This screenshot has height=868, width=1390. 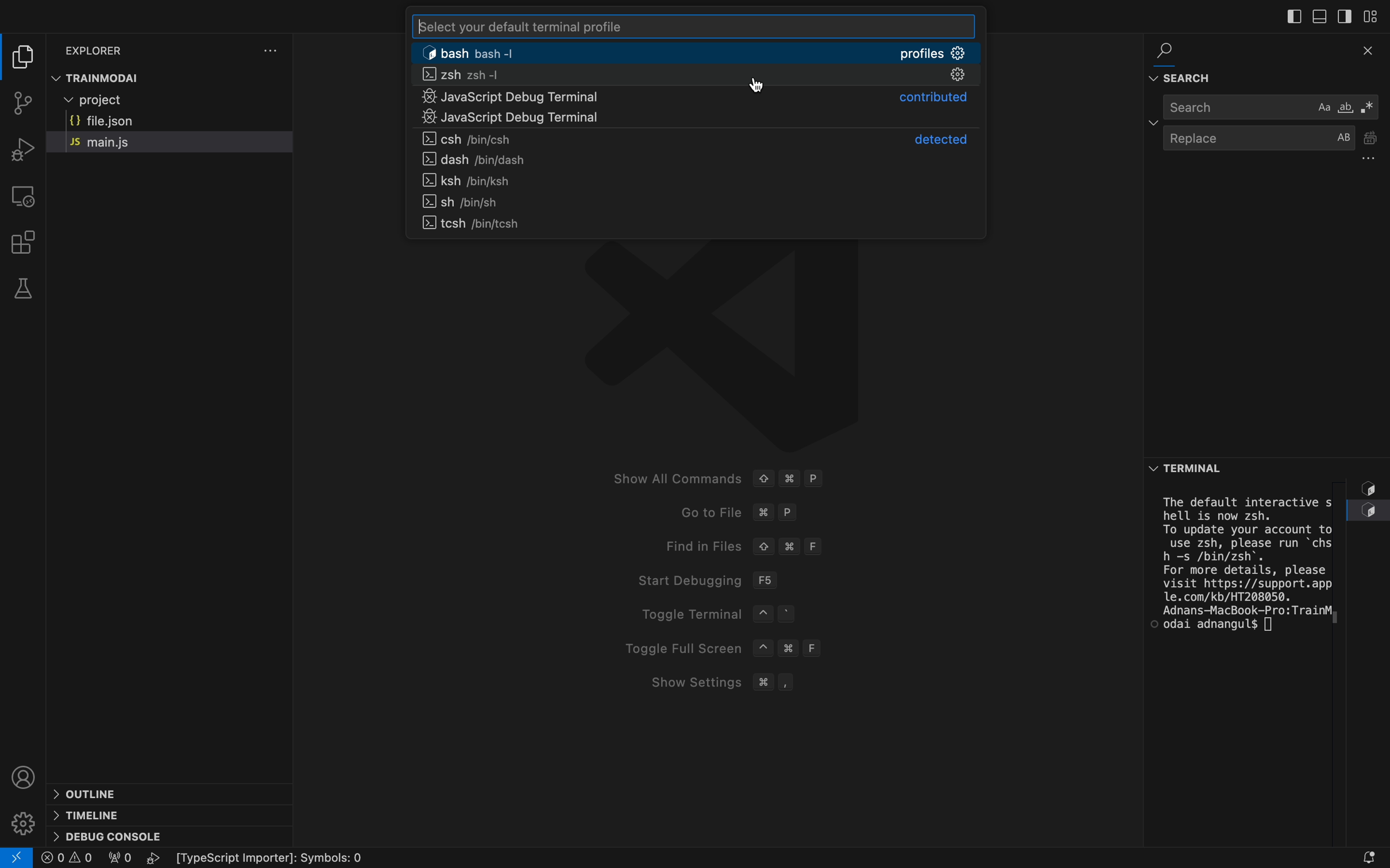 I want to click on sidebar on right, so click(x=1344, y=17).